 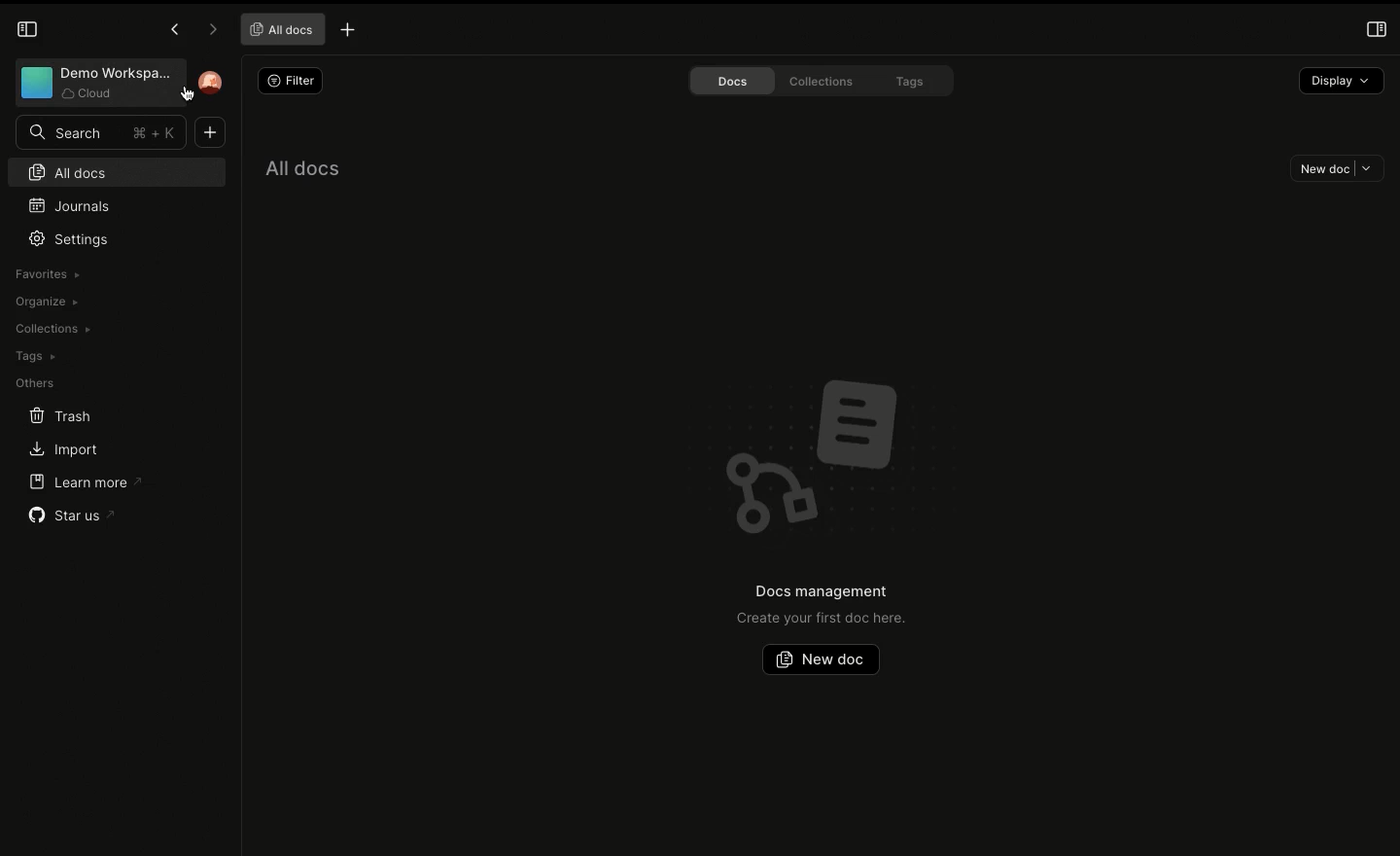 What do you see at coordinates (209, 87) in the screenshot?
I see `User` at bounding box center [209, 87].